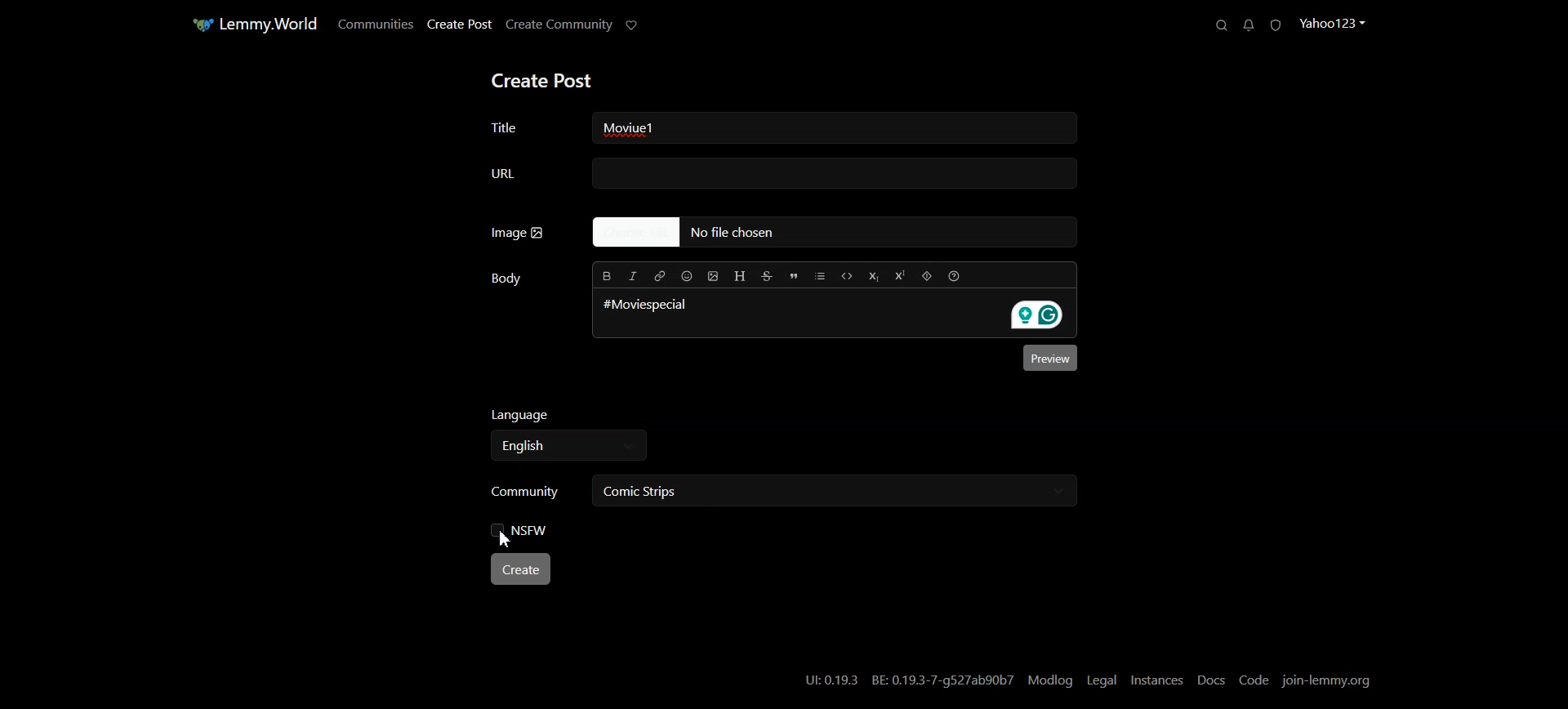 The image size is (1568, 709). I want to click on Upload Image, so click(717, 276).